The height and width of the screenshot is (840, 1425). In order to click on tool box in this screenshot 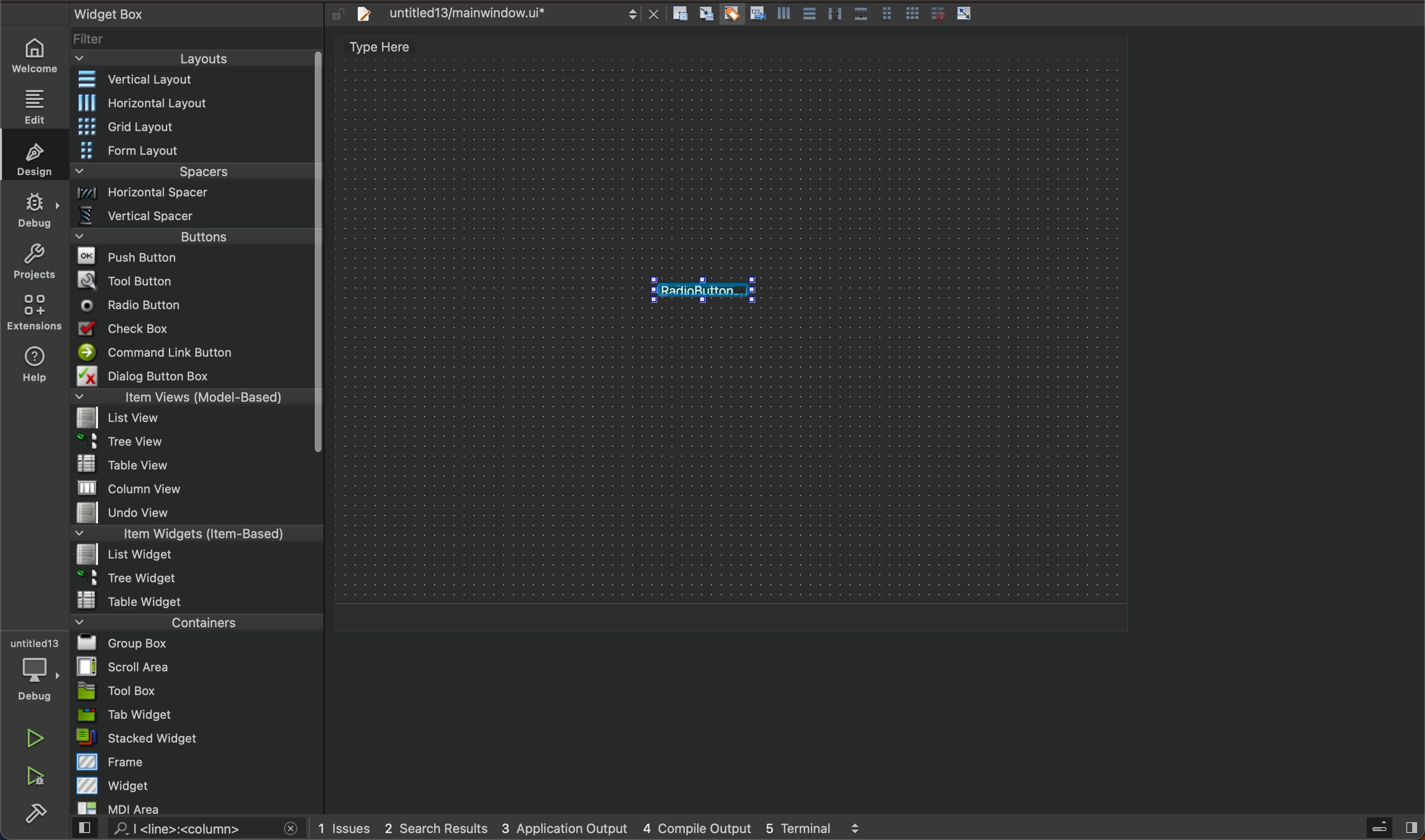, I will do `click(197, 691)`.